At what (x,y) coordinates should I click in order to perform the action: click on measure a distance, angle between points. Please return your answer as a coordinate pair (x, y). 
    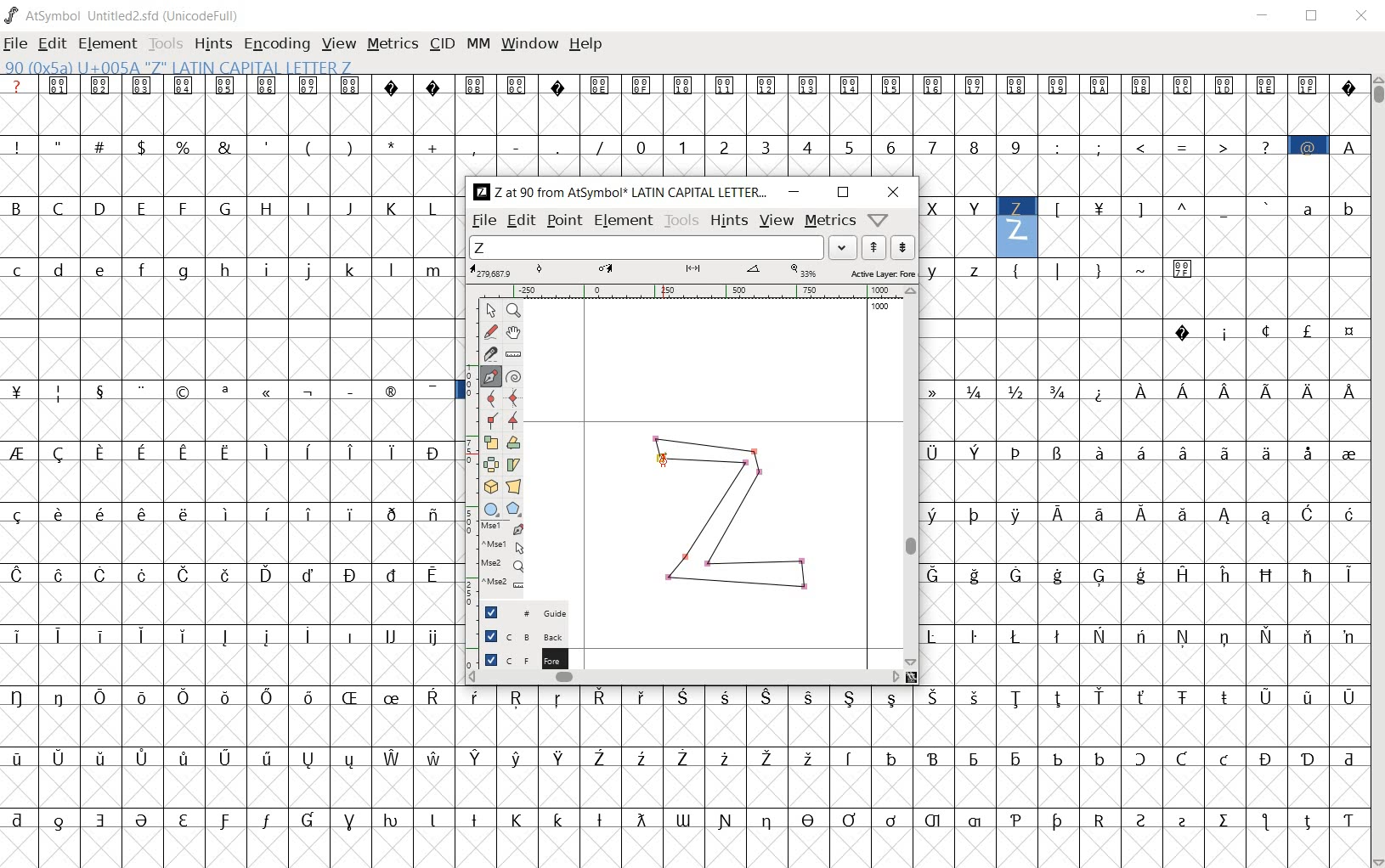
    Looking at the image, I should click on (512, 353).